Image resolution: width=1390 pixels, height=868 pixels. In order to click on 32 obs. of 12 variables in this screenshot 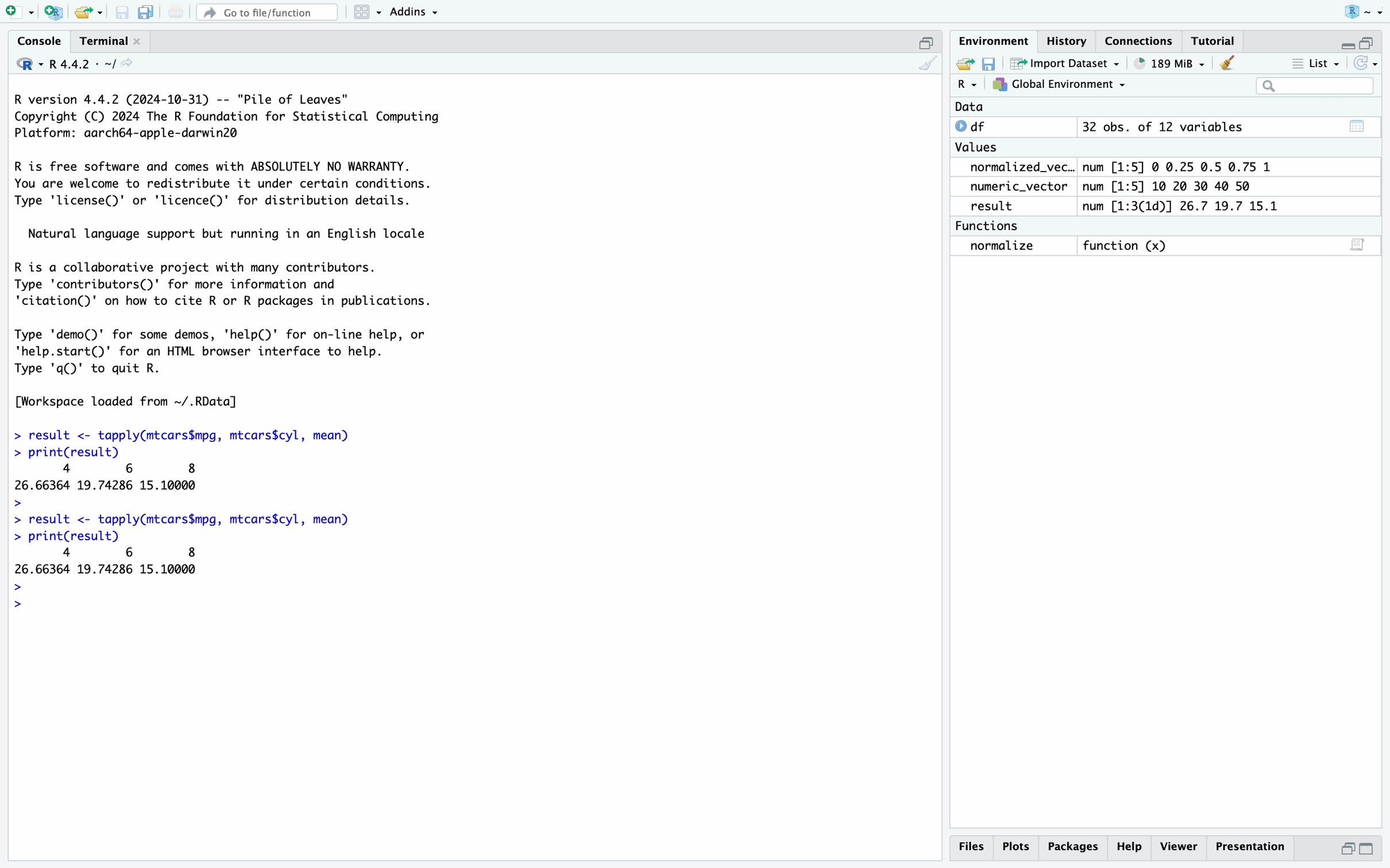, I will do `click(1164, 127)`.